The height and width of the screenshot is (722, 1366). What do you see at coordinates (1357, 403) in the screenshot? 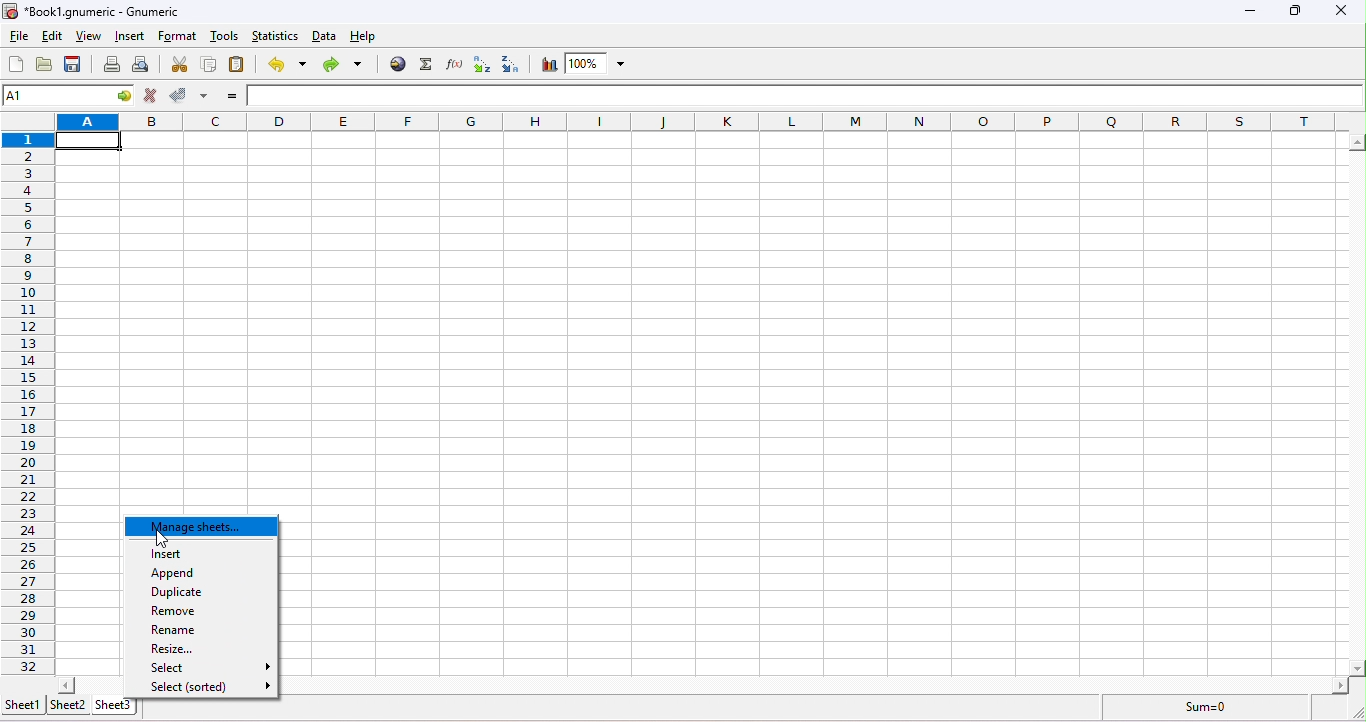
I see `scroll bar` at bounding box center [1357, 403].